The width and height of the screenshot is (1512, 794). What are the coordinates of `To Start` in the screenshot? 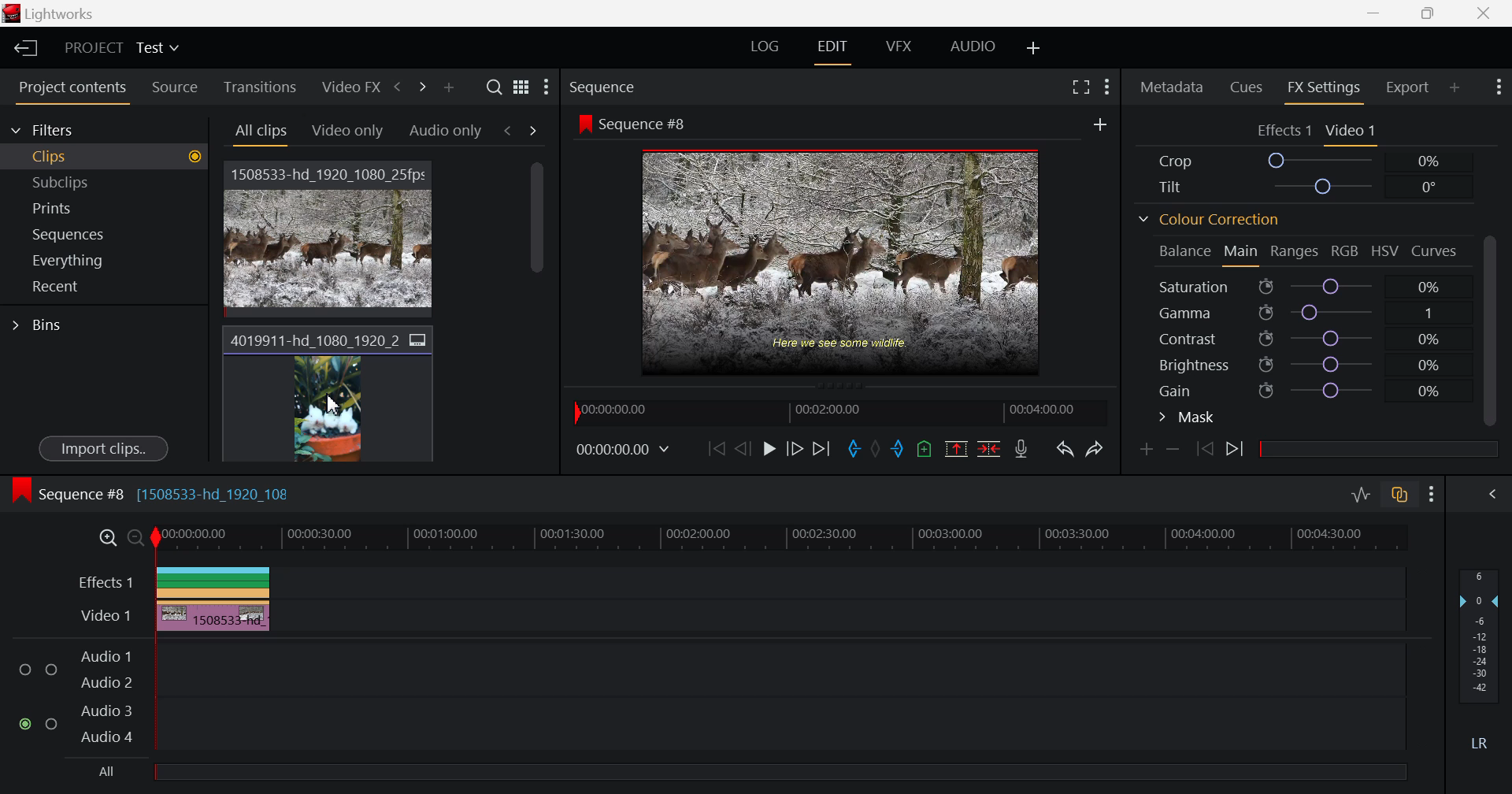 It's located at (717, 450).